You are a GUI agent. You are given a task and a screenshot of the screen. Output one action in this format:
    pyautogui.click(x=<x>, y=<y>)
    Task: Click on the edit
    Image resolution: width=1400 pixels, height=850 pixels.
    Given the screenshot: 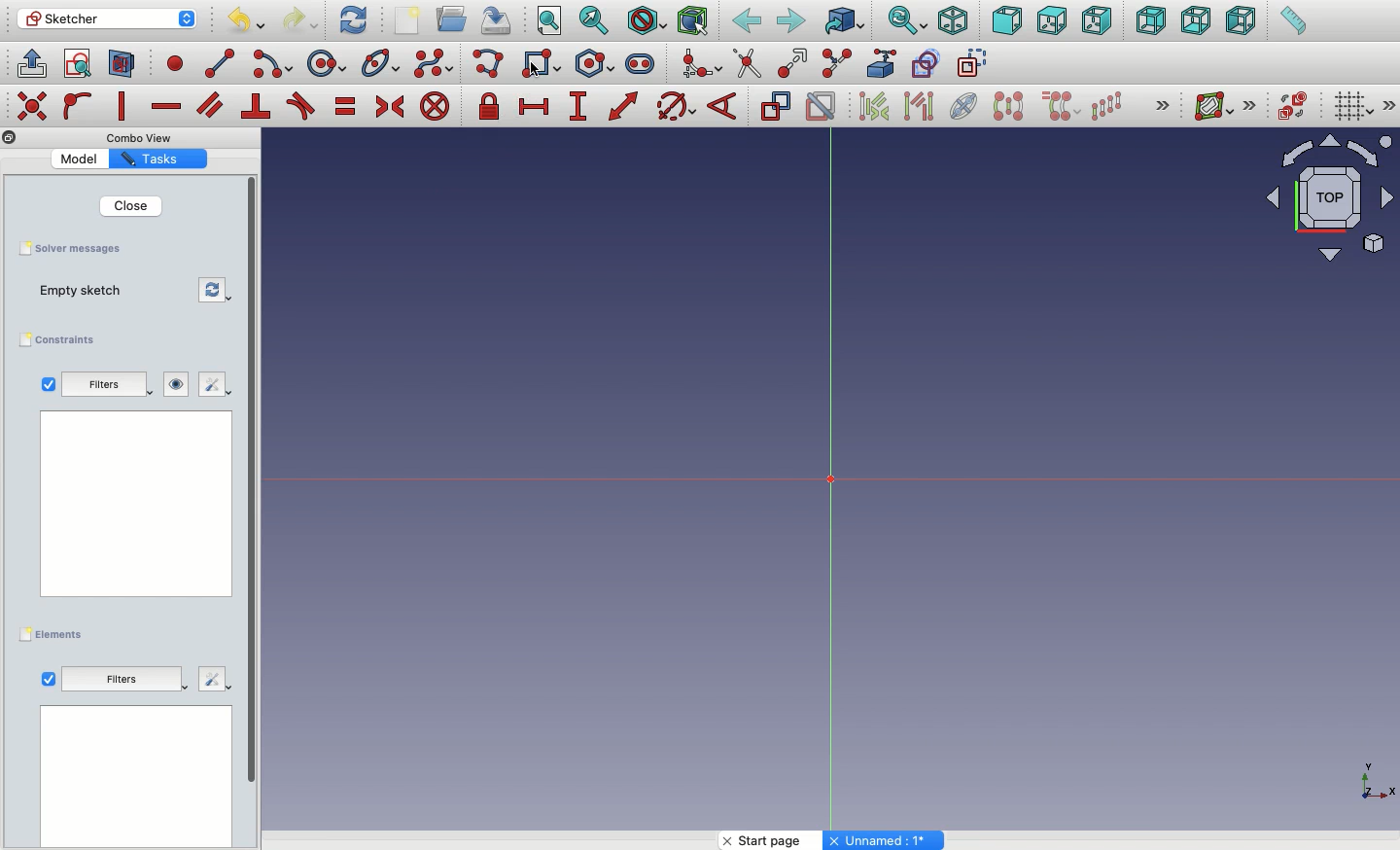 What is the action you would take?
    pyautogui.click(x=211, y=385)
    